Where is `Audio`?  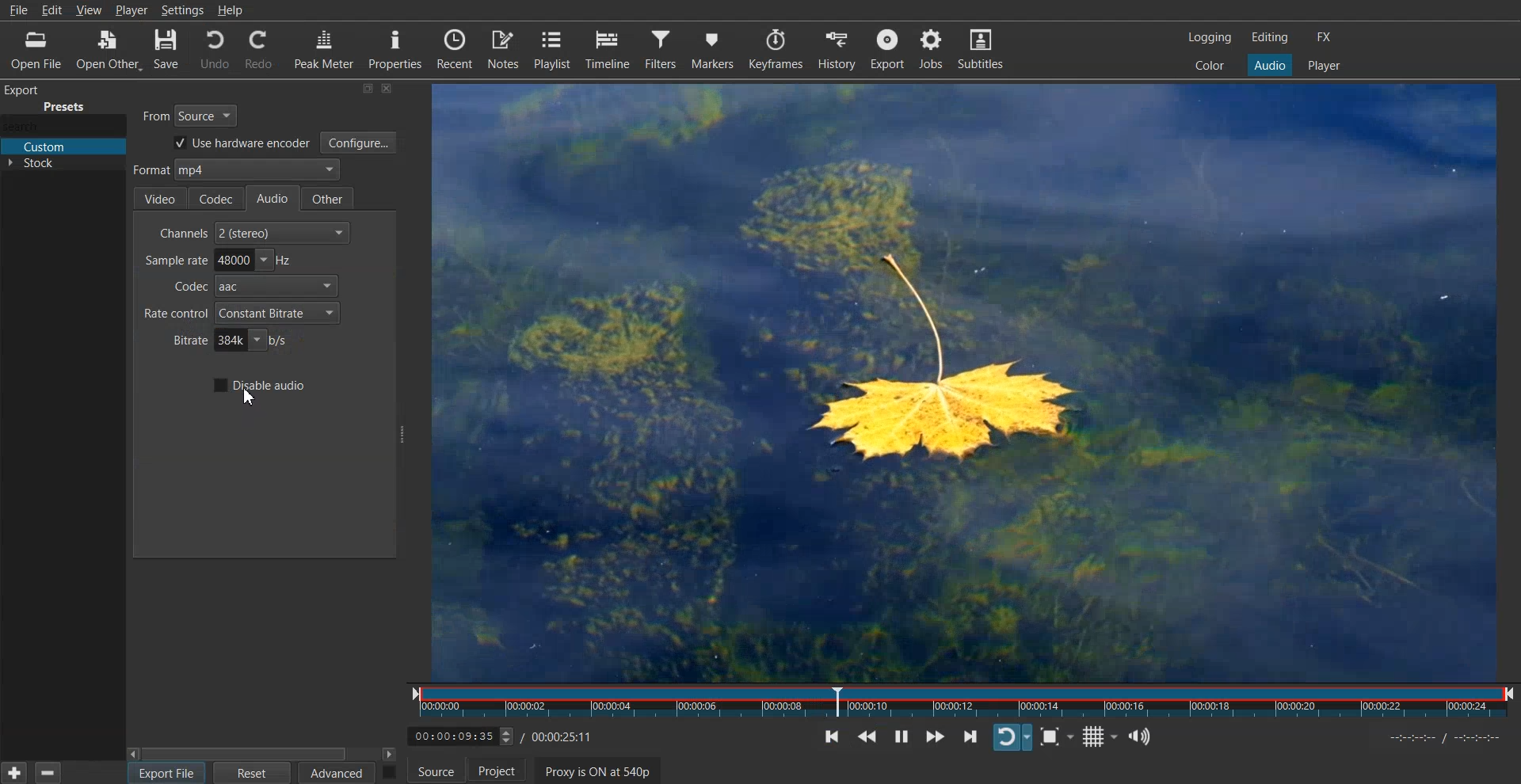
Audio is located at coordinates (1269, 64).